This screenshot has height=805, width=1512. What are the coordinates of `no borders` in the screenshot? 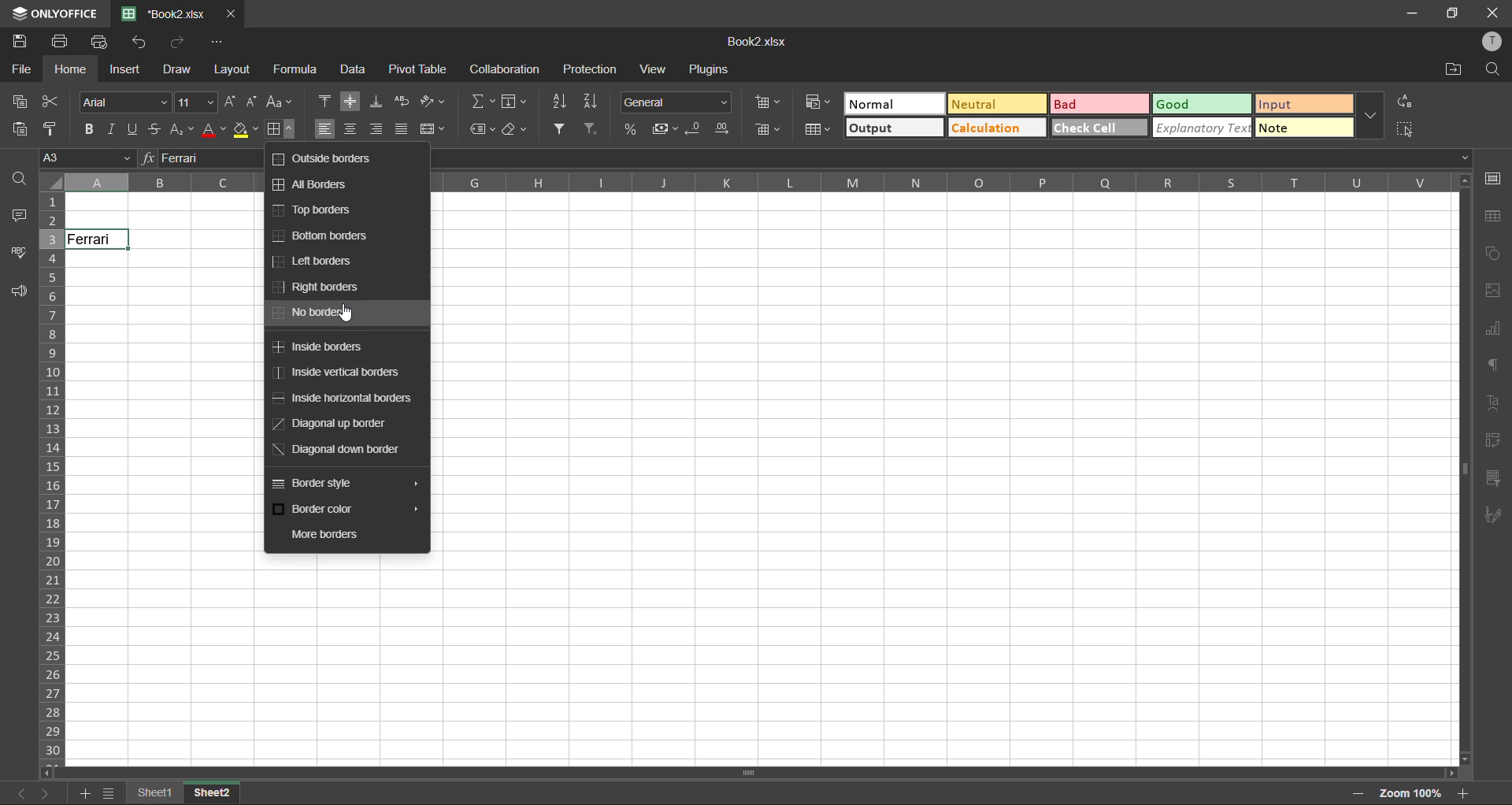 It's located at (316, 315).